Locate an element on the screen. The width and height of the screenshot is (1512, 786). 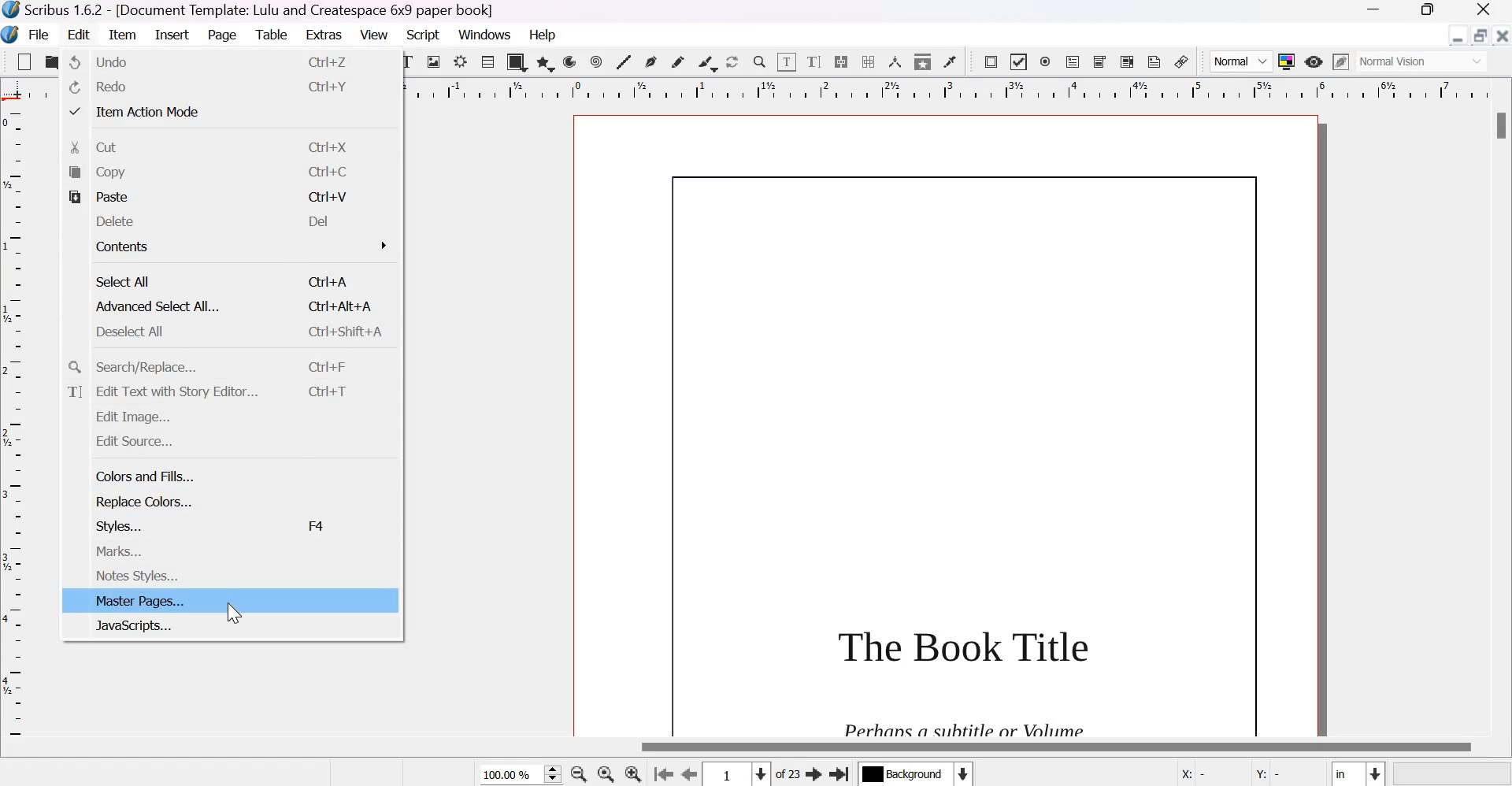
Normal is located at coordinates (1242, 62).